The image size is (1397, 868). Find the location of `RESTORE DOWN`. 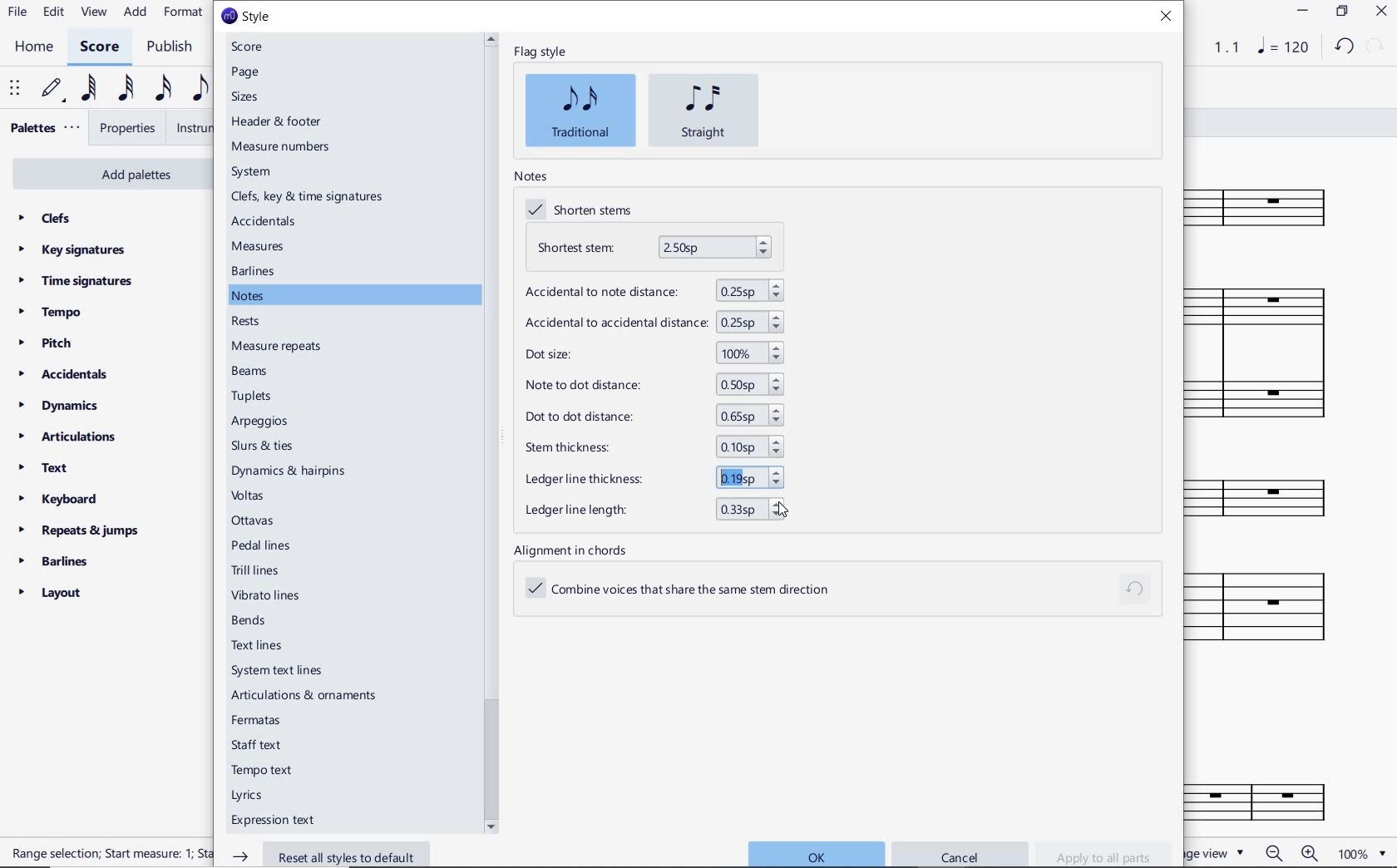

RESTORE DOWN is located at coordinates (1342, 13).